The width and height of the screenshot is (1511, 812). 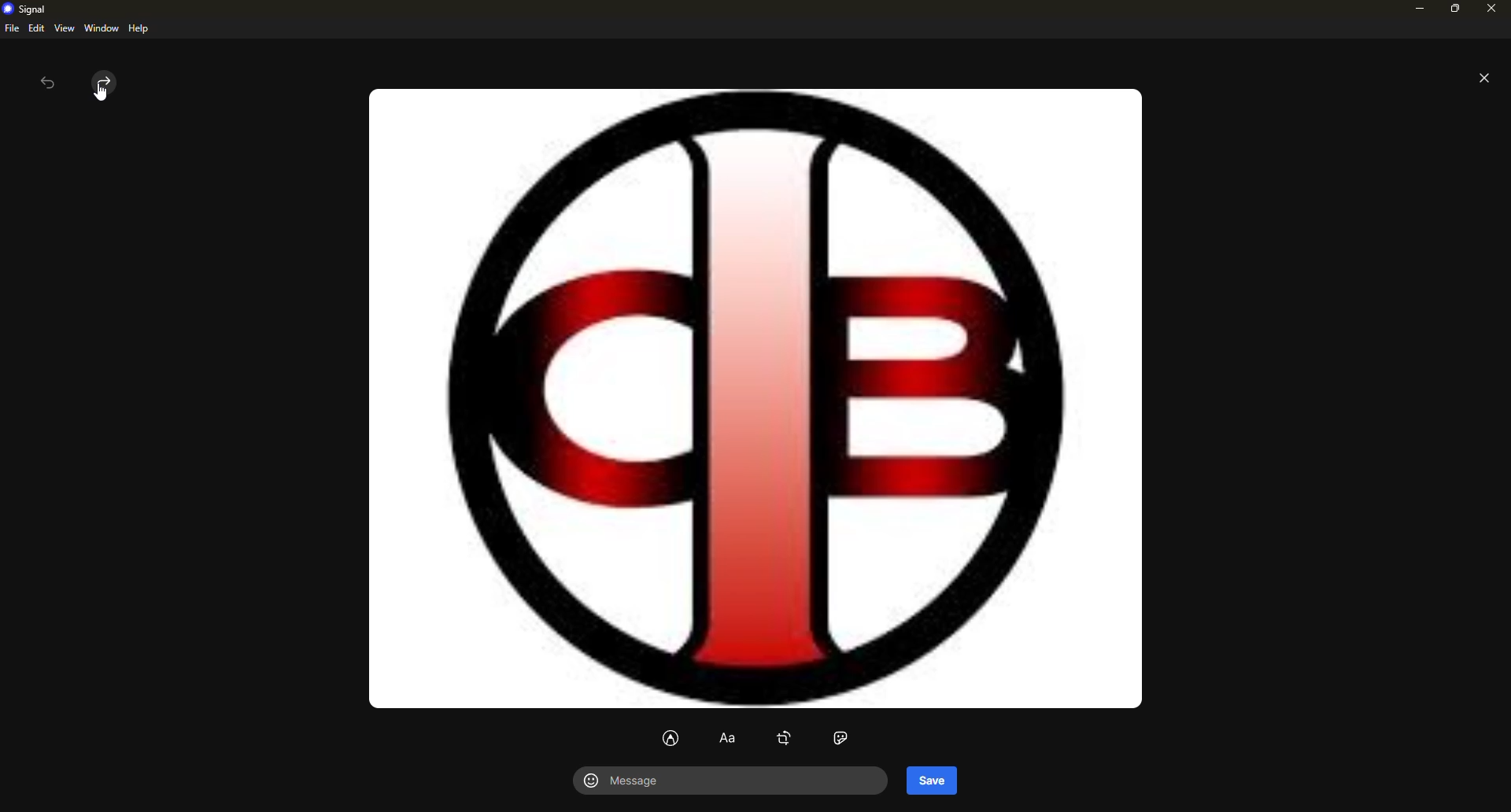 What do you see at coordinates (1493, 10) in the screenshot?
I see `close` at bounding box center [1493, 10].